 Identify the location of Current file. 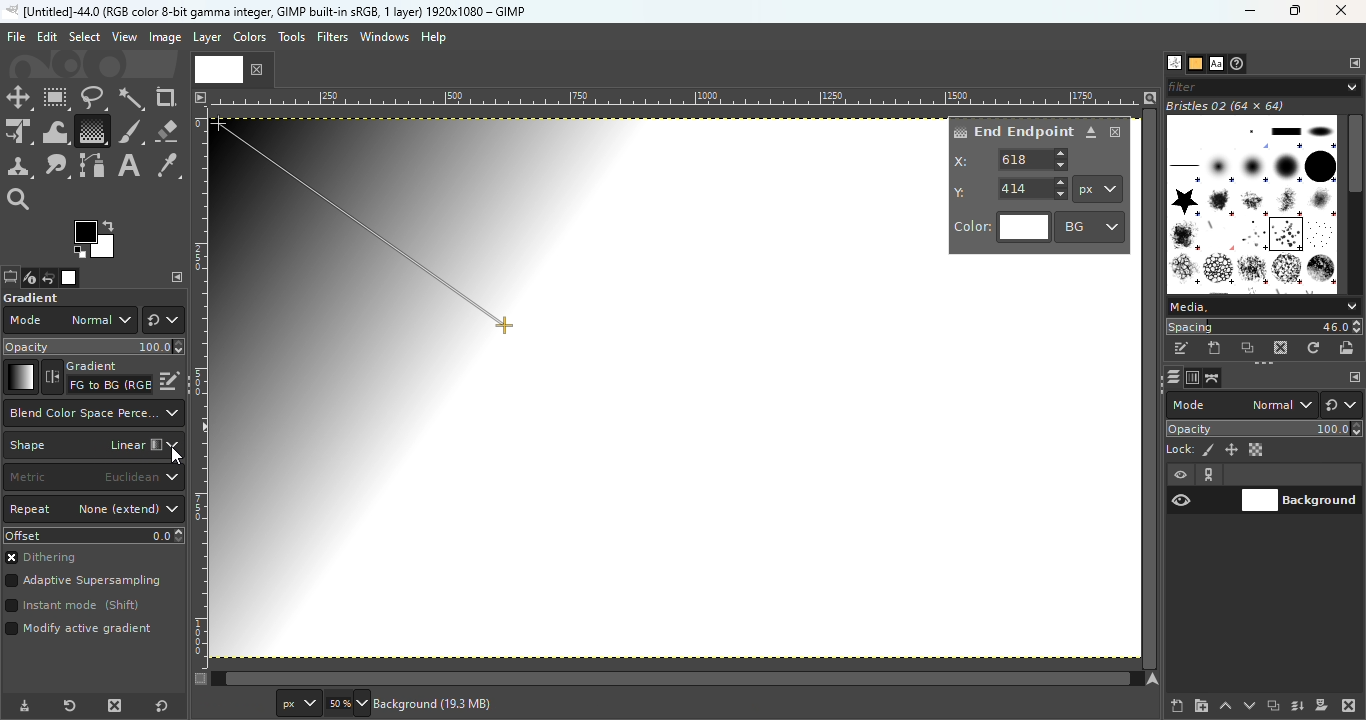
(233, 68).